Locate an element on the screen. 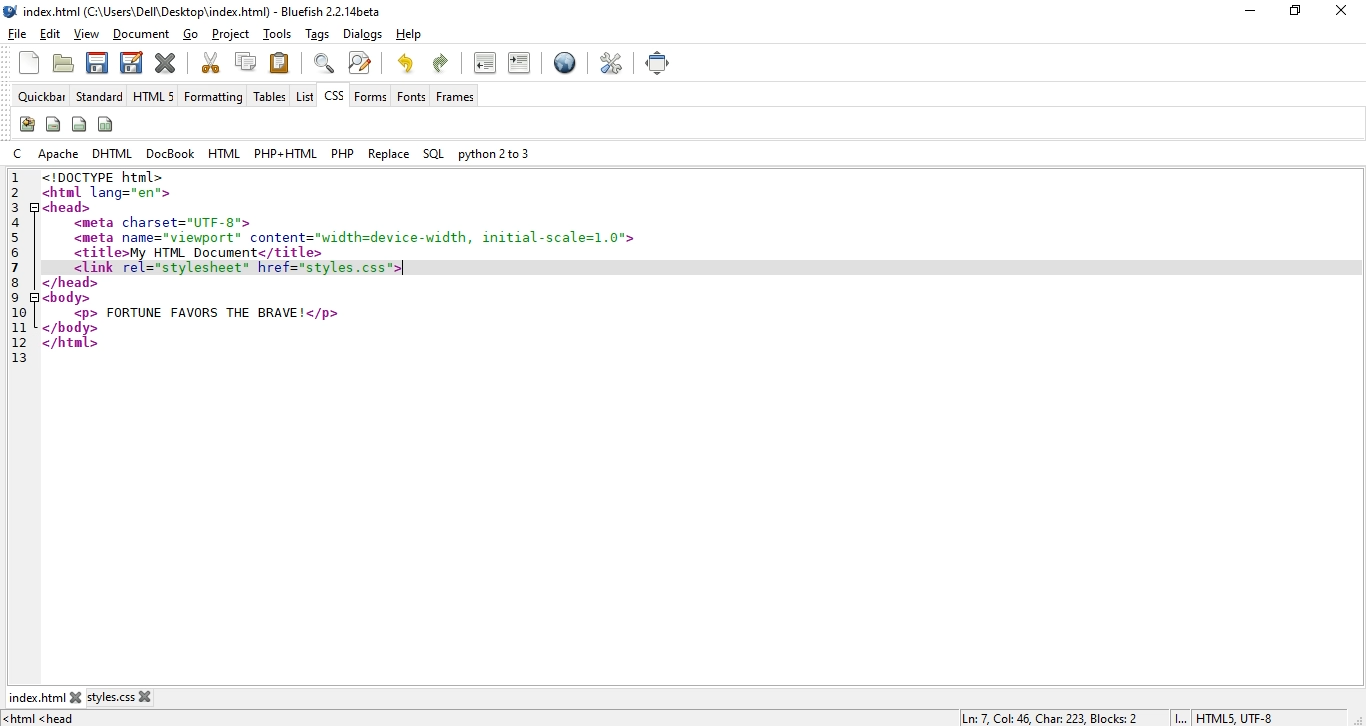 The height and width of the screenshot is (726, 1366). </head> is located at coordinates (71, 282).